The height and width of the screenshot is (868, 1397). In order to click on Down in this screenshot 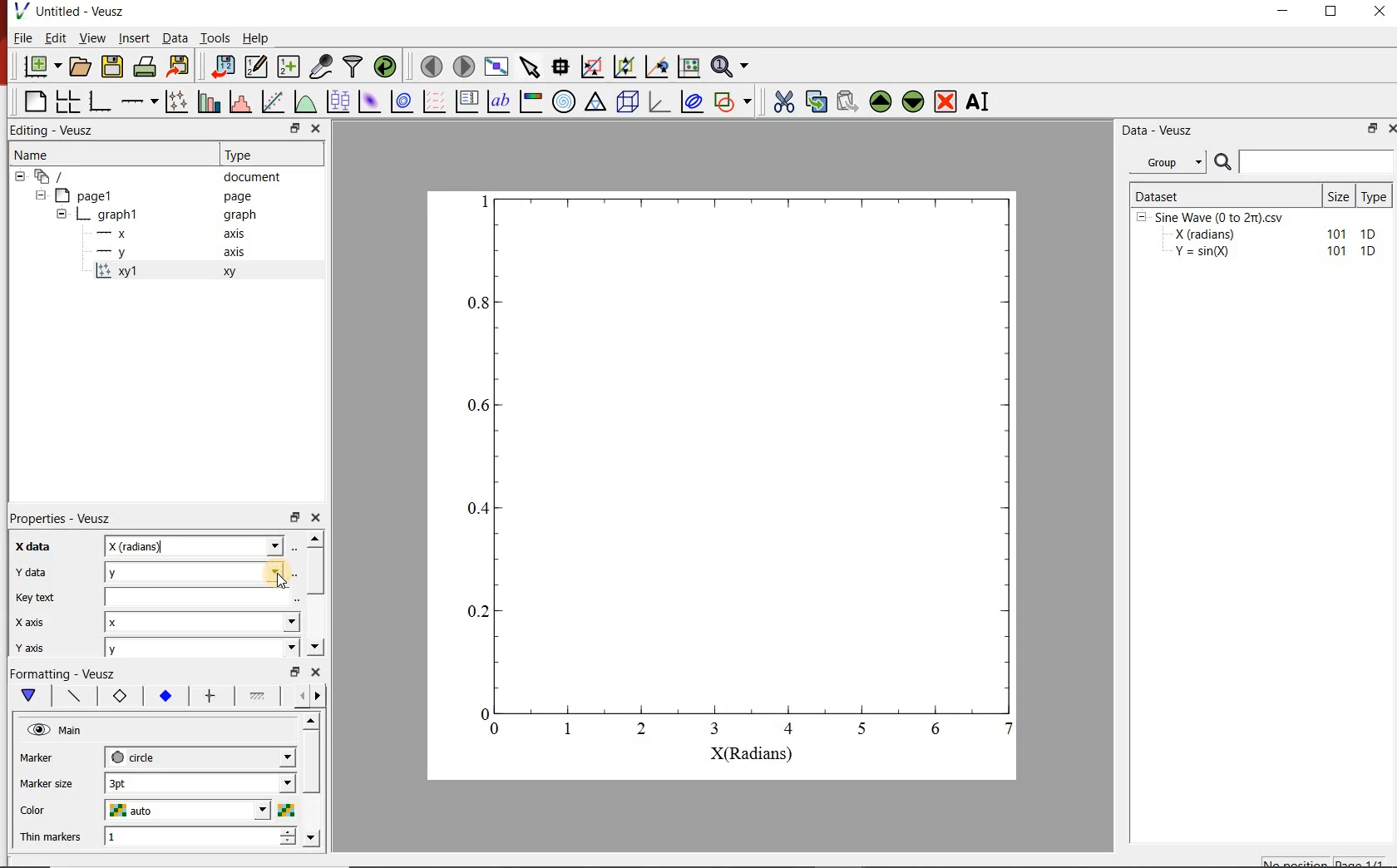, I will do `click(315, 647)`.